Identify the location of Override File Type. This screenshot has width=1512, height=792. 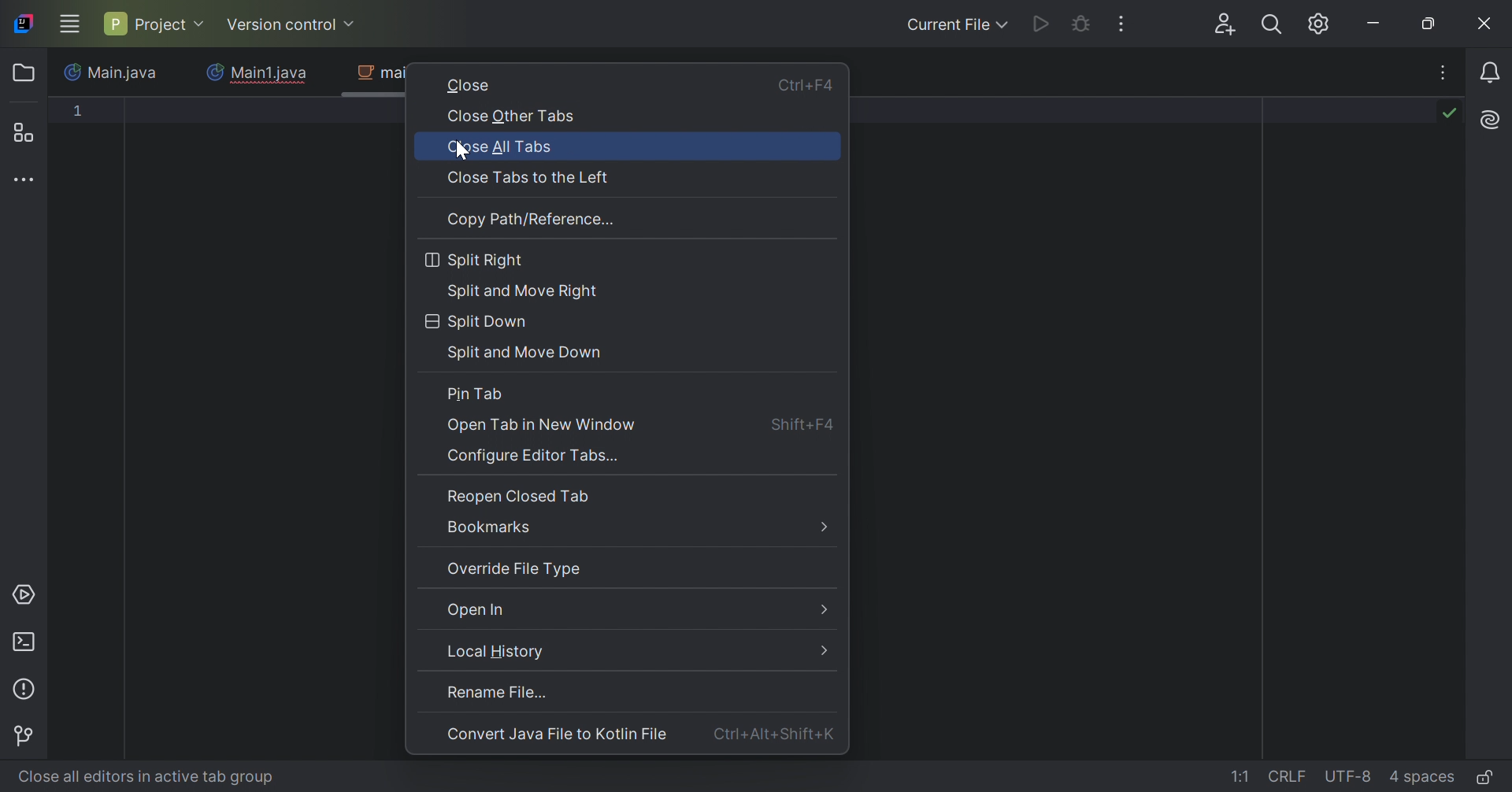
(518, 570).